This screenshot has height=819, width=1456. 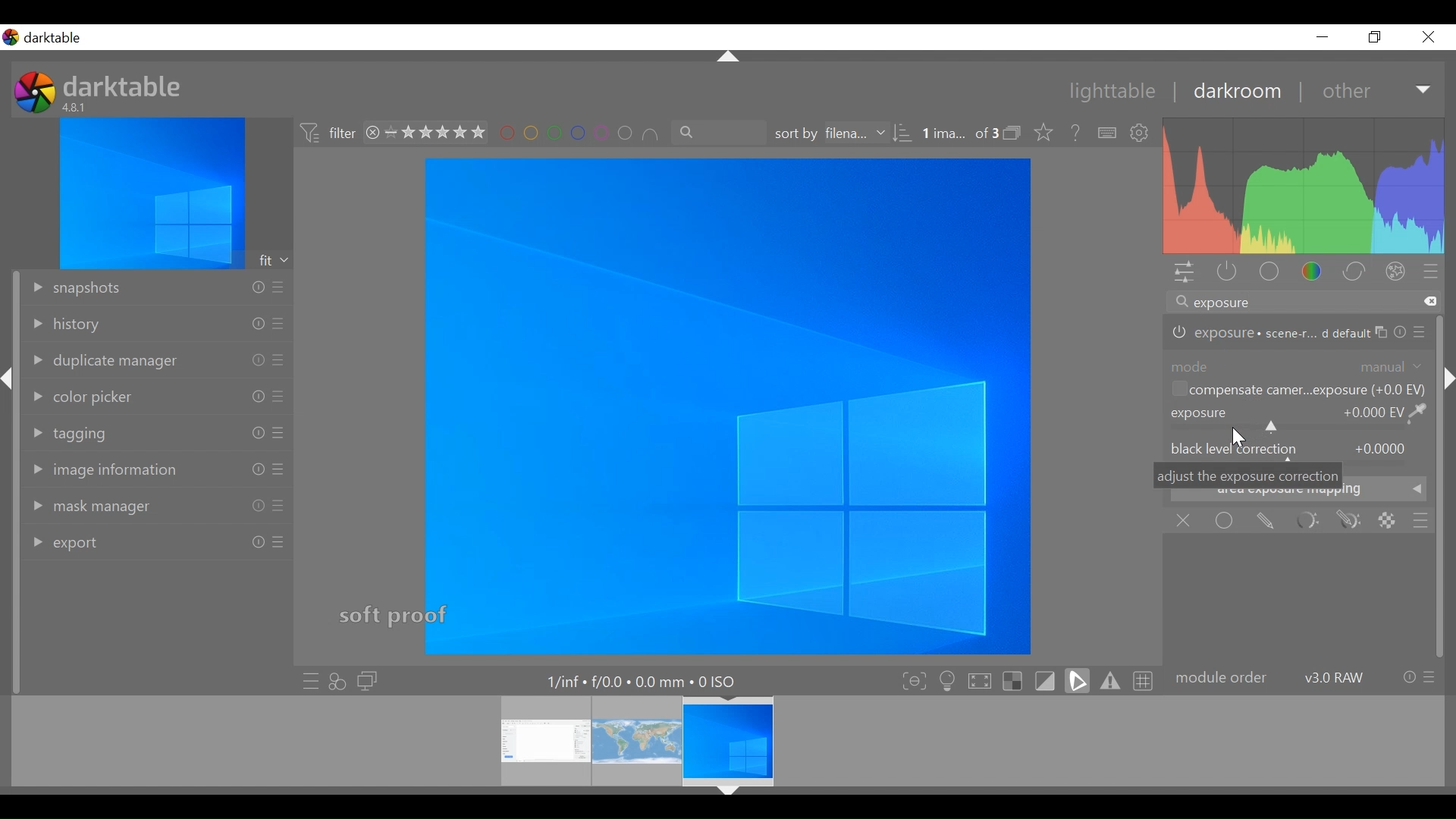 I want to click on copy, so click(x=1382, y=333).